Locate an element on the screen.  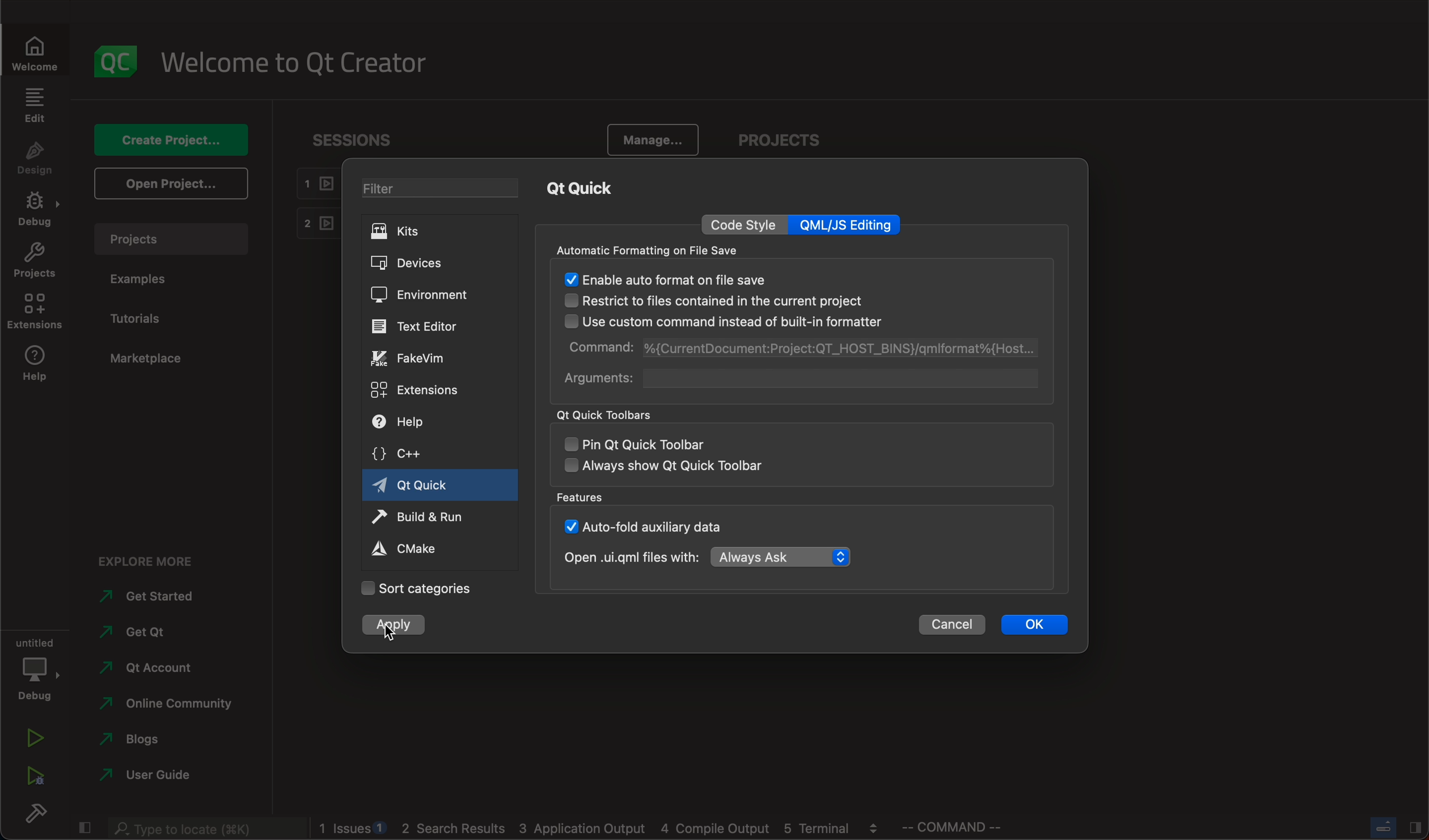
use custom command is located at coordinates (720, 323).